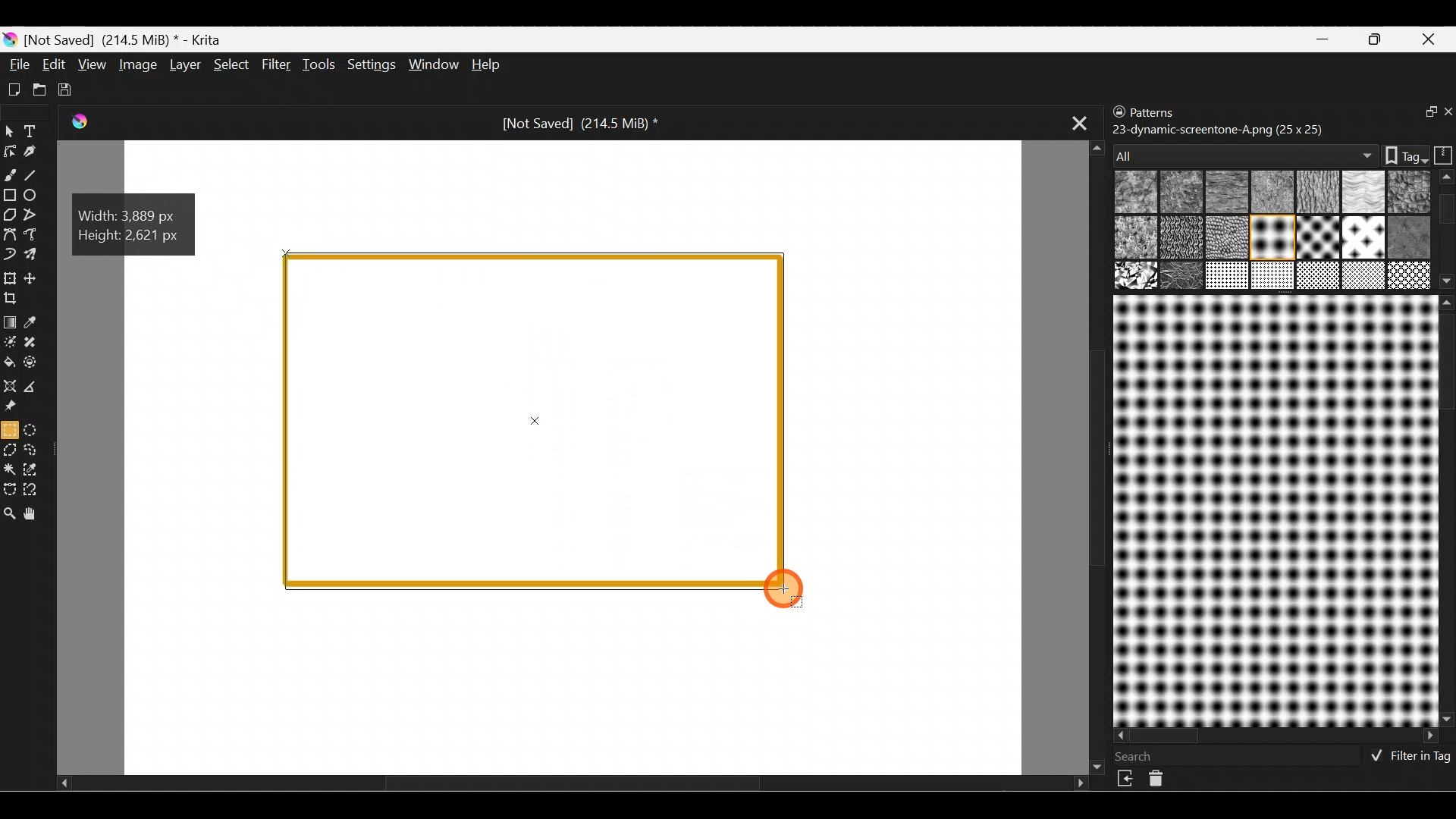 Image resolution: width=1456 pixels, height=819 pixels. I want to click on 12 drawed_vertical.png, so click(1363, 237).